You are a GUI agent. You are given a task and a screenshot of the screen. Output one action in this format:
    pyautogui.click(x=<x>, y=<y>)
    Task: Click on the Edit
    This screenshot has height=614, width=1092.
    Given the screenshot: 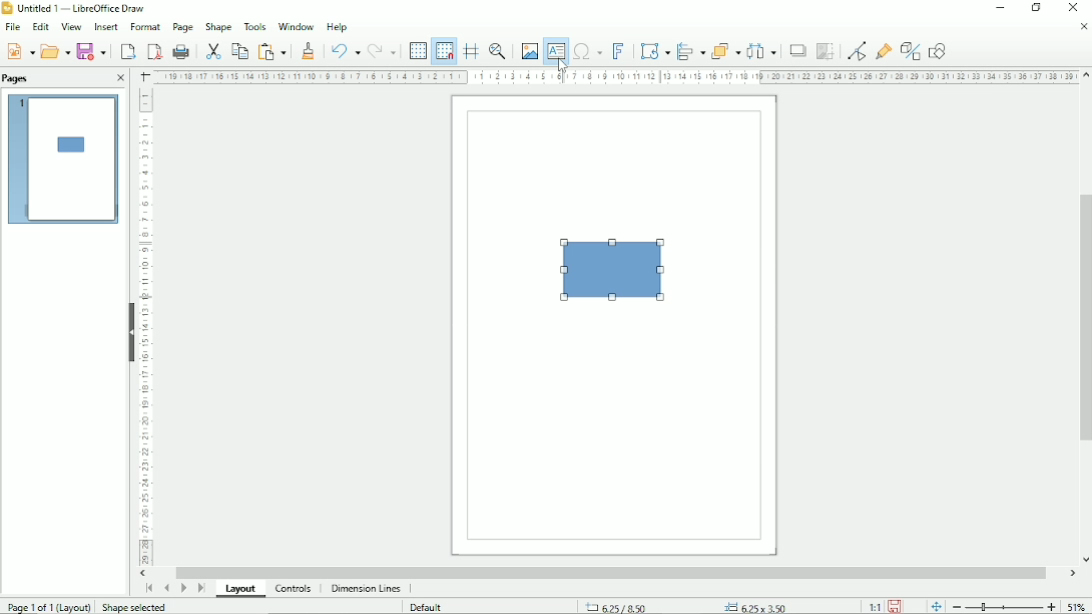 What is the action you would take?
    pyautogui.click(x=42, y=26)
    